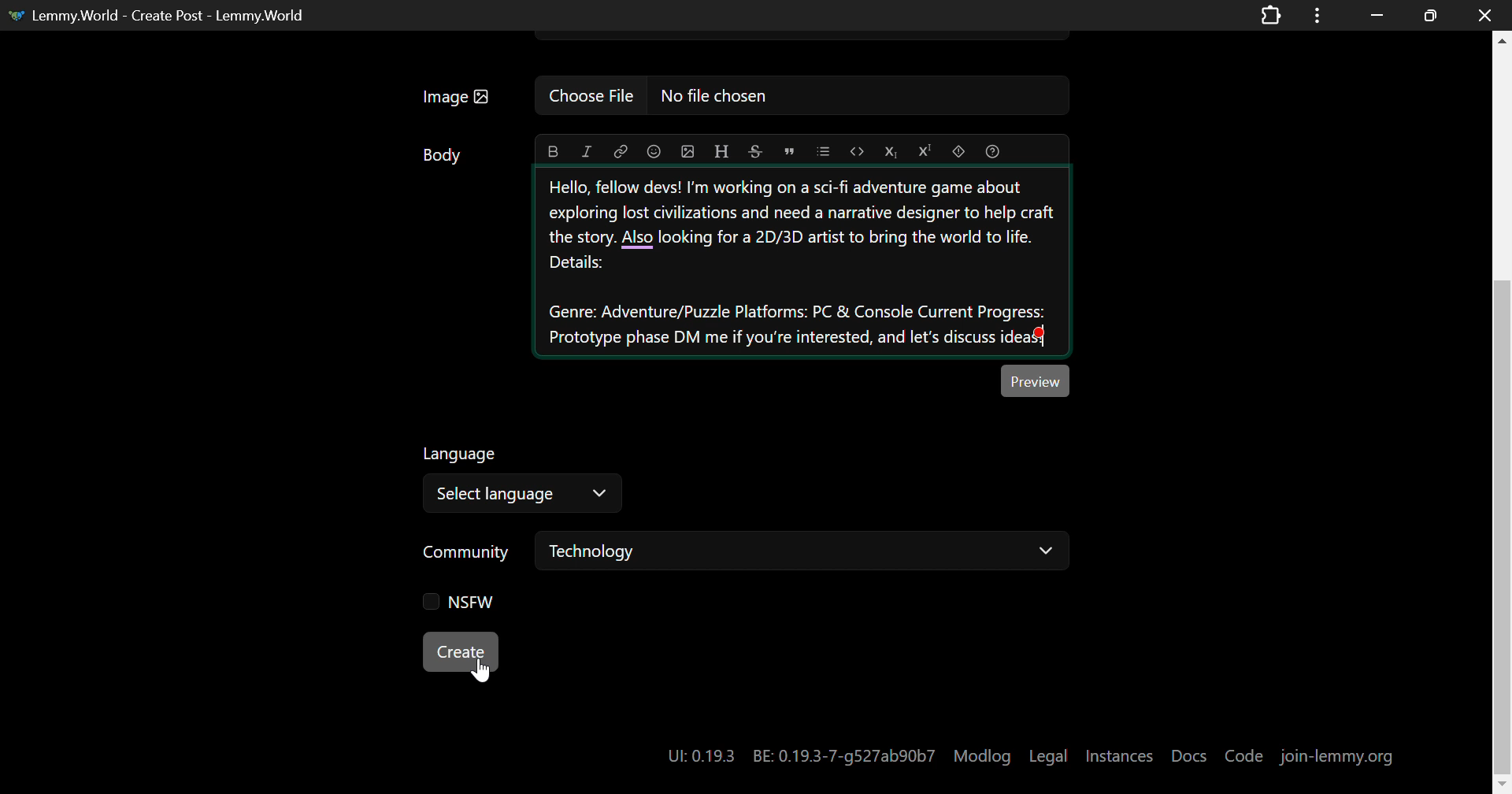 Image resolution: width=1512 pixels, height=794 pixels. I want to click on Create, so click(460, 651).